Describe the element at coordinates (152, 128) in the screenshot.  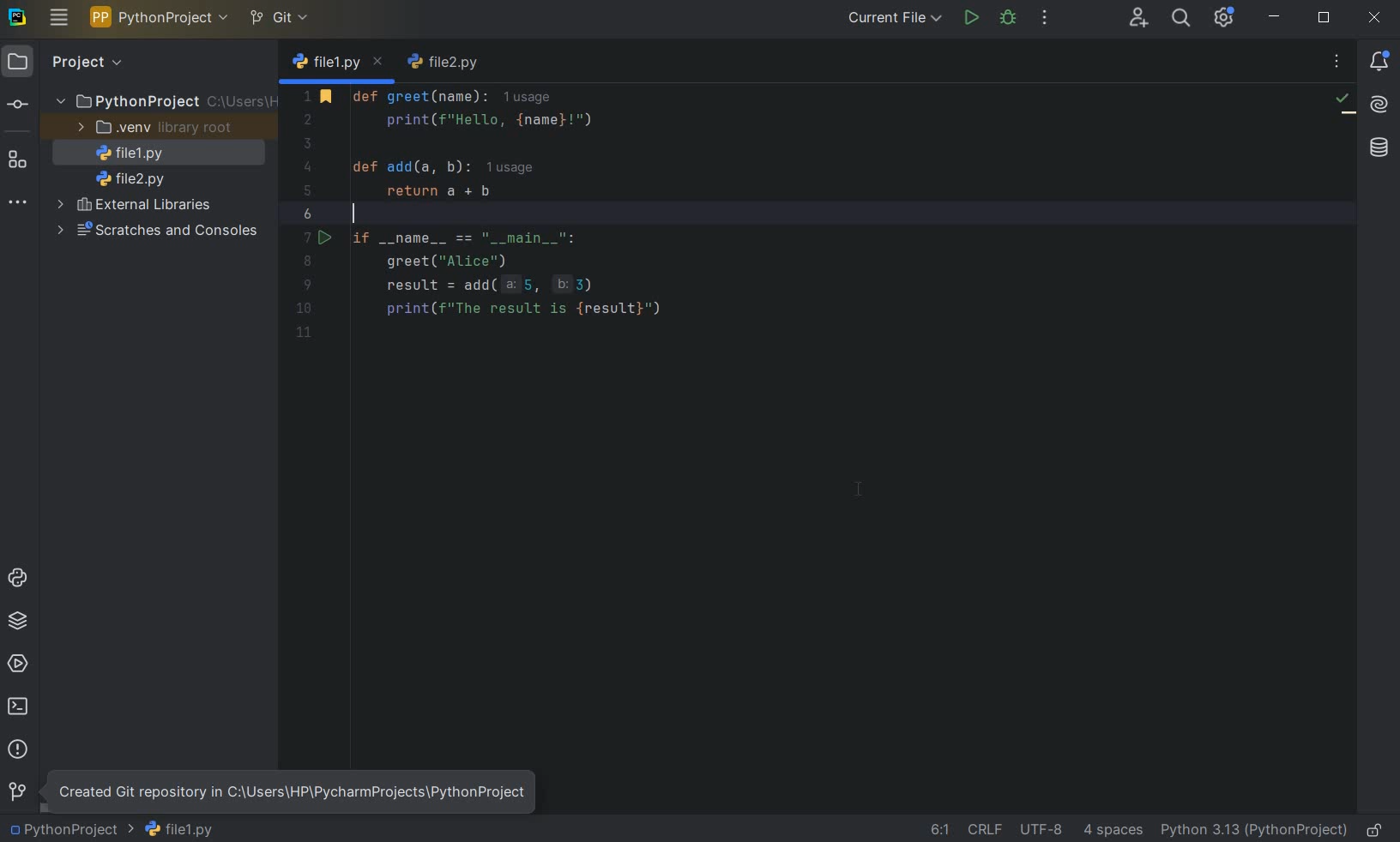
I see `.venv` at that location.